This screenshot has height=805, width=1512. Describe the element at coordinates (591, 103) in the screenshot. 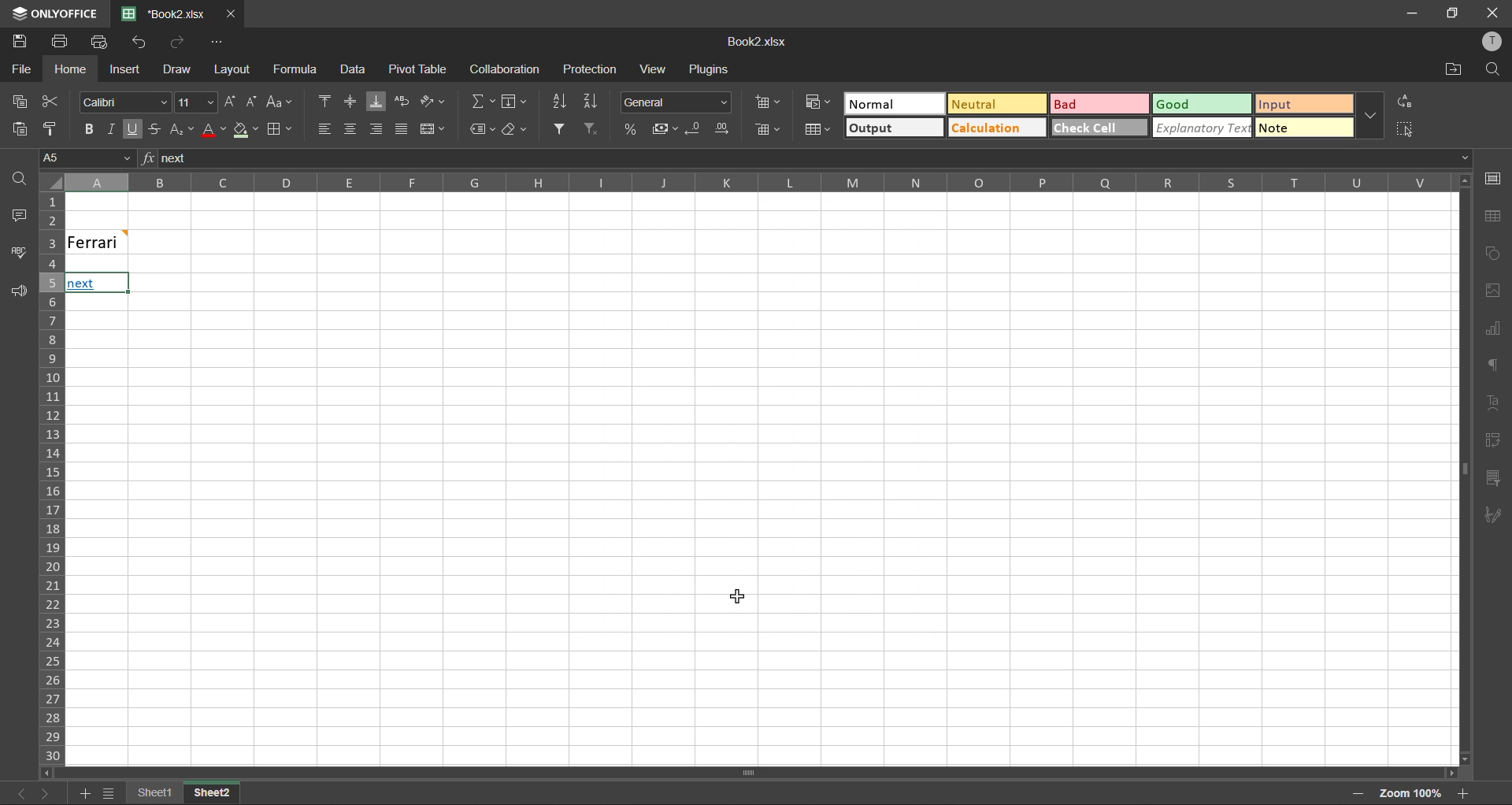

I see `sort descending` at that location.